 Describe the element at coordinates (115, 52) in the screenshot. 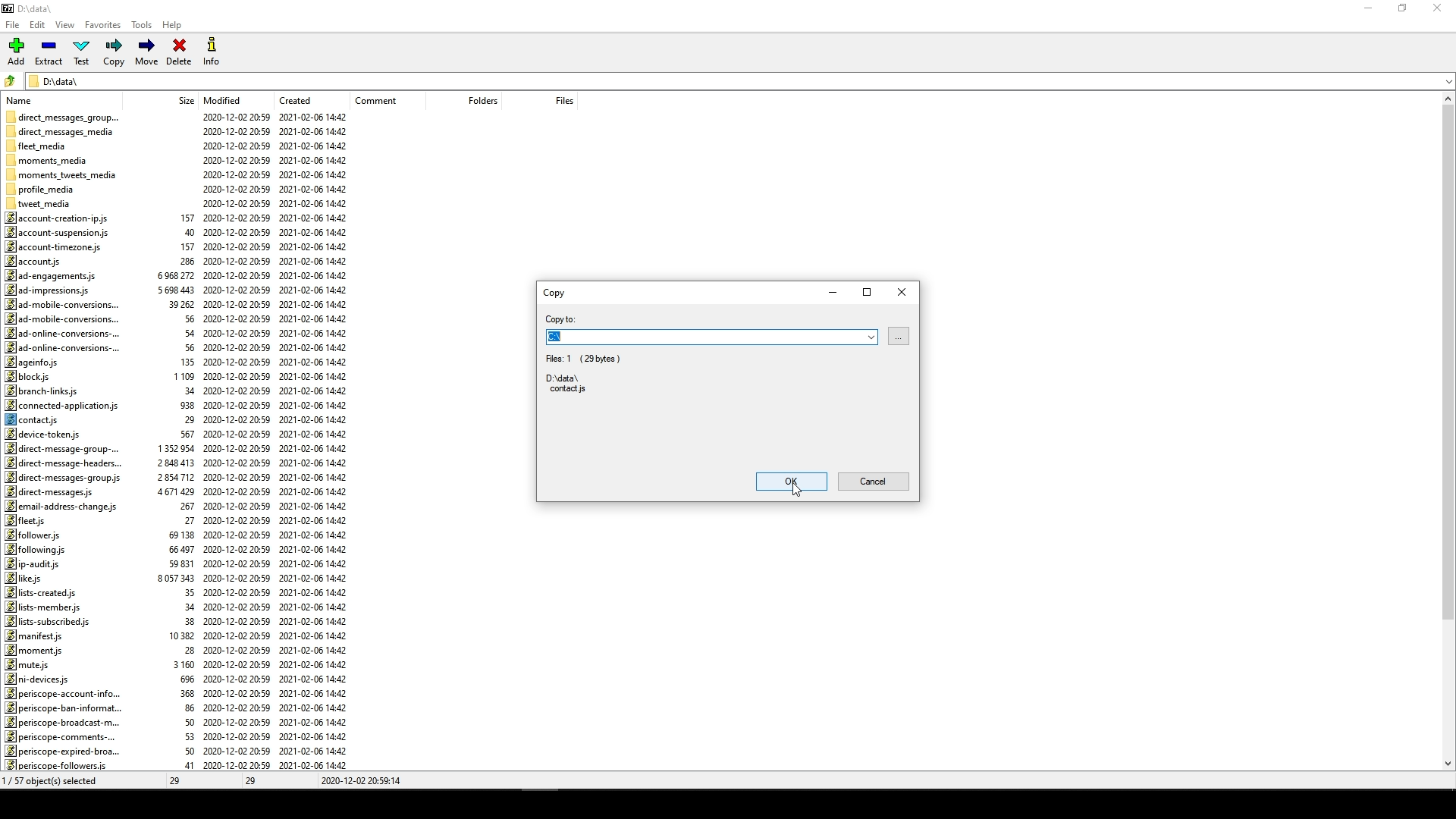

I see `Copy` at that location.